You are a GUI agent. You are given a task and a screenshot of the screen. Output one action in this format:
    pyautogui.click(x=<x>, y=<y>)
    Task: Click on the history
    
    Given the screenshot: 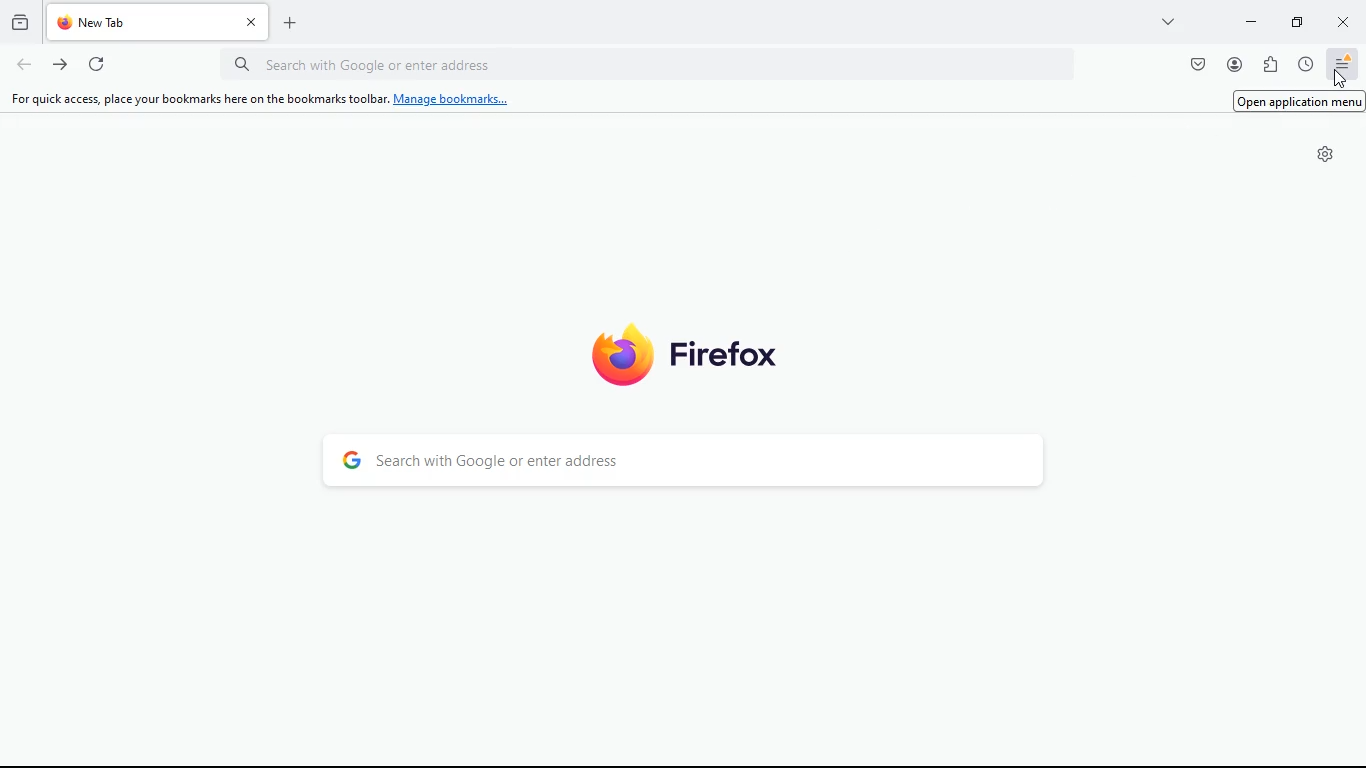 What is the action you would take?
    pyautogui.click(x=20, y=23)
    